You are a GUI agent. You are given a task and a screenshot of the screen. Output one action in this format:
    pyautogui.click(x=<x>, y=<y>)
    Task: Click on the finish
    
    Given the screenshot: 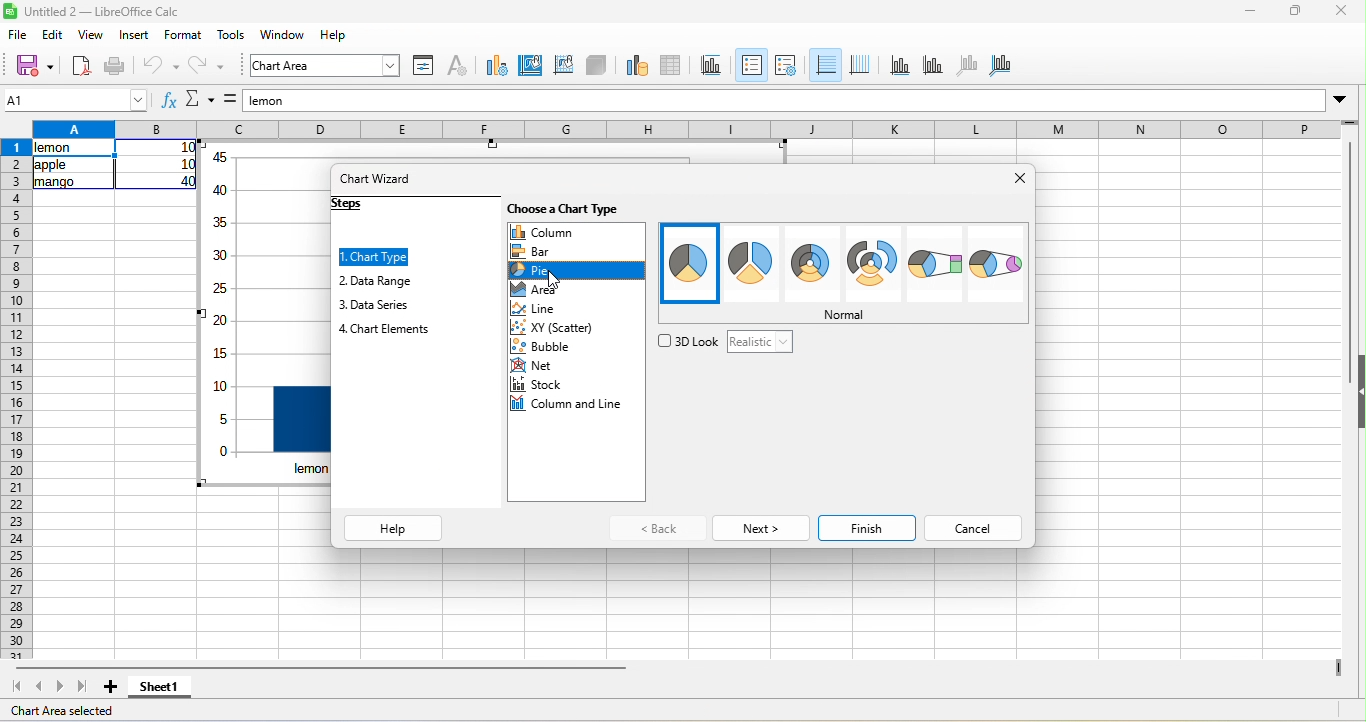 What is the action you would take?
    pyautogui.click(x=867, y=527)
    